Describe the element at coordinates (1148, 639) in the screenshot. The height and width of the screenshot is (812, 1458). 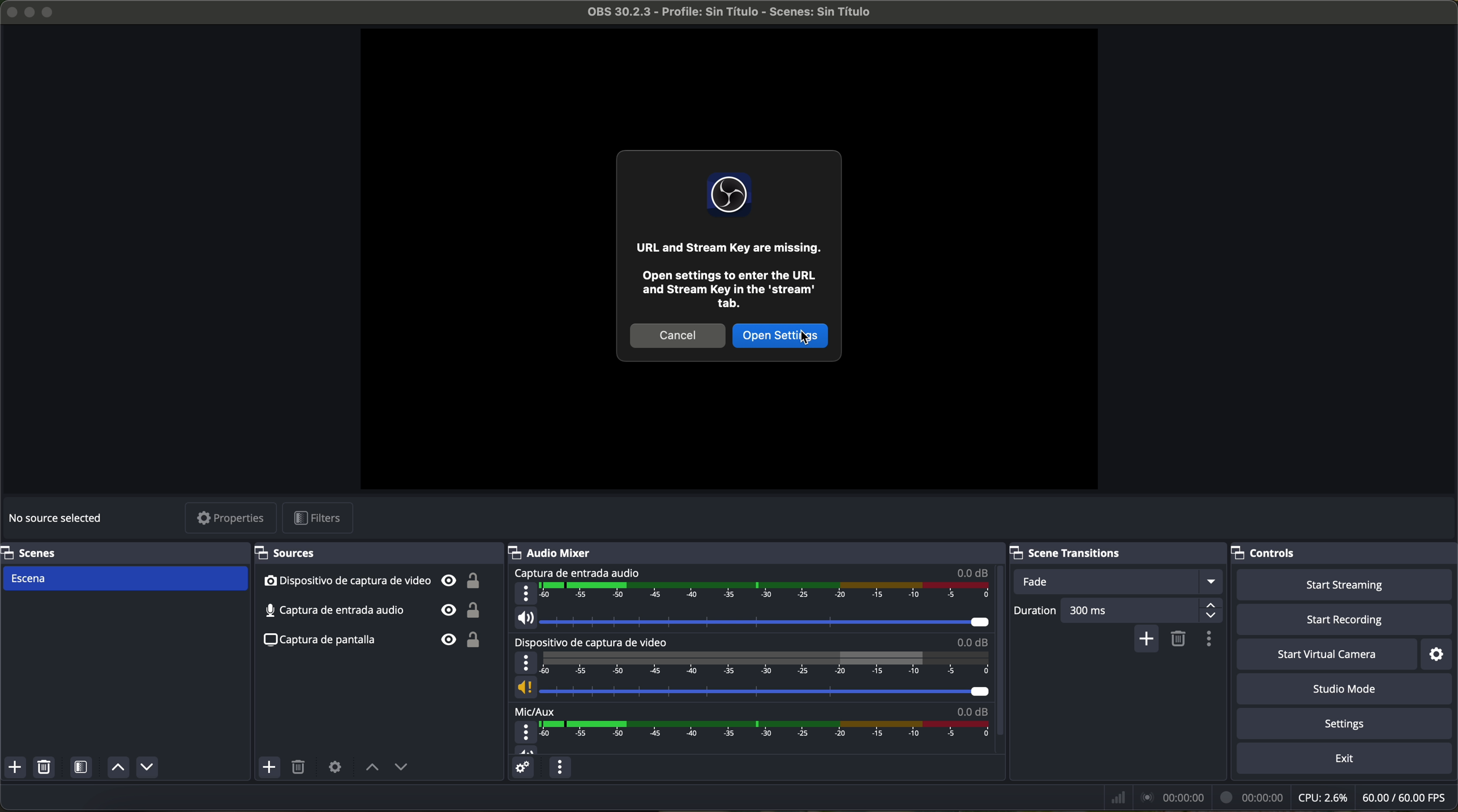
I see `add configurable transition` at that location.